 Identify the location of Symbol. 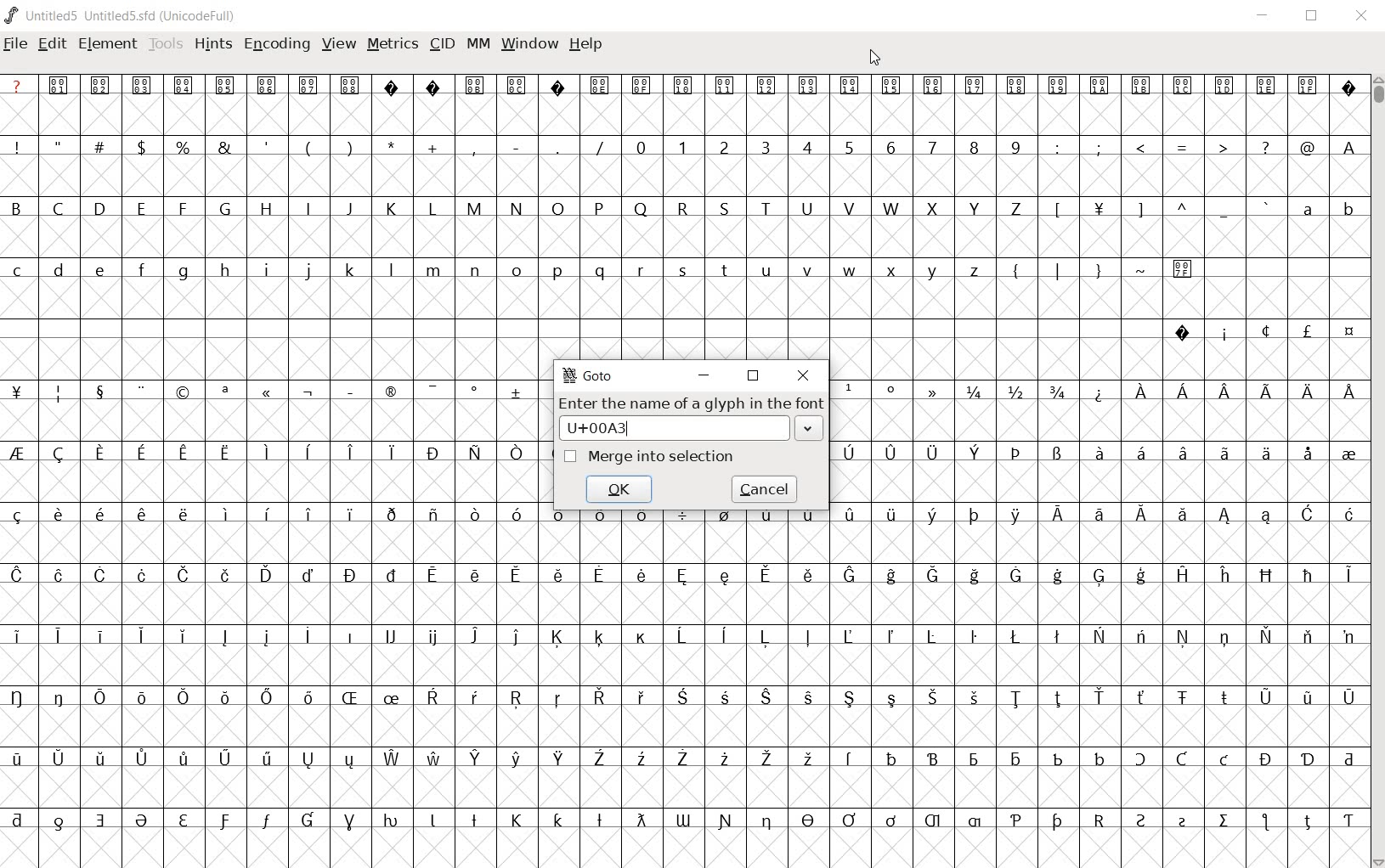
(1058, 699).